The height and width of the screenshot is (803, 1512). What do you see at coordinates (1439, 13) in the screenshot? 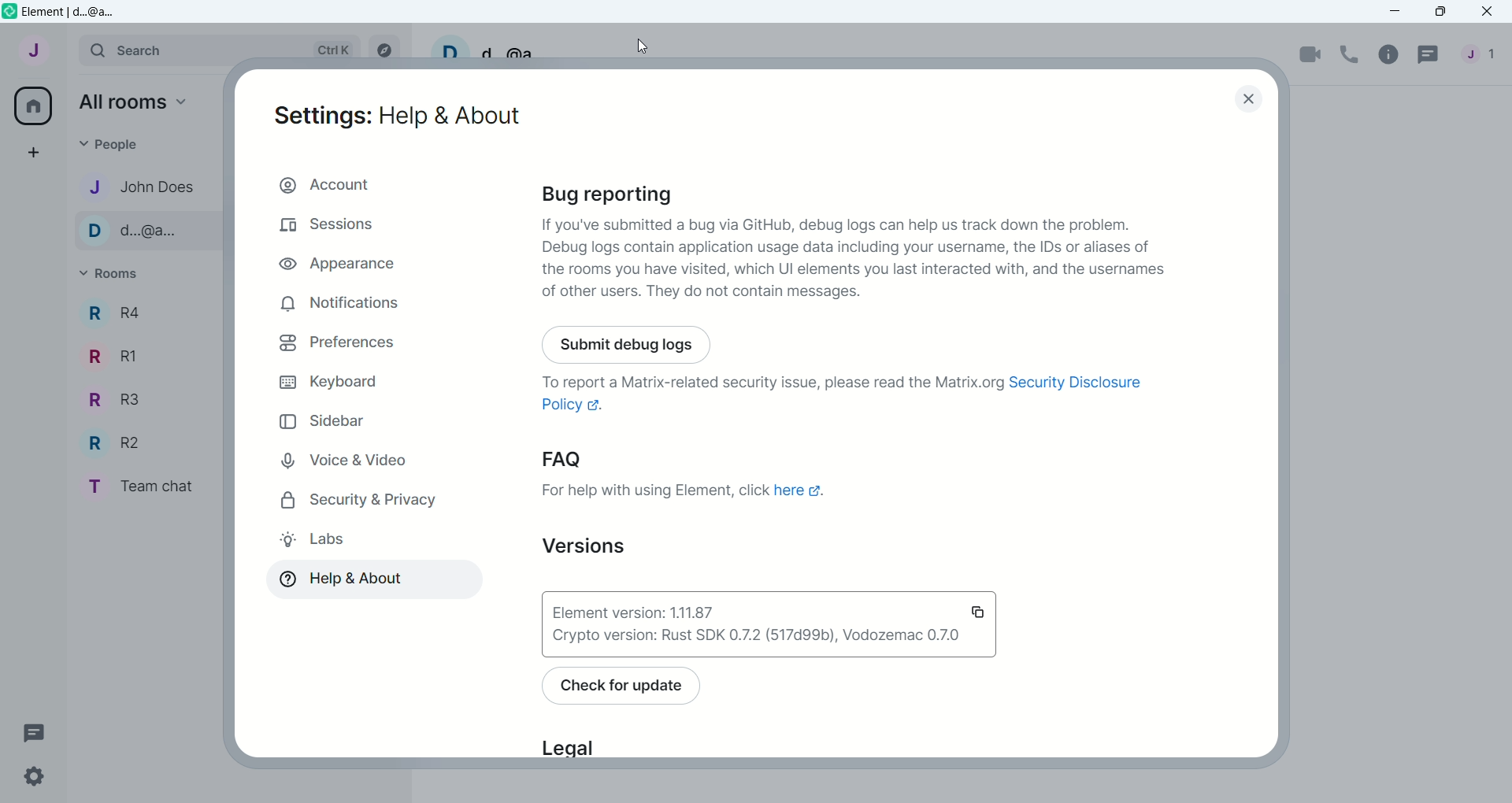
I see `Maximize` at bounding box center [1439, 13].